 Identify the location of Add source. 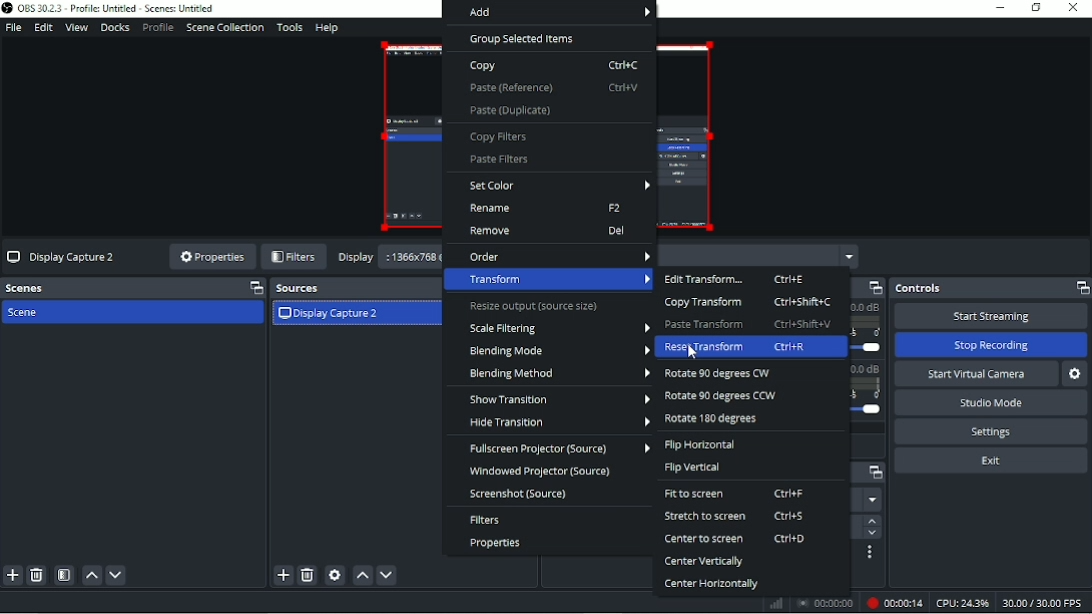
(282, 575).